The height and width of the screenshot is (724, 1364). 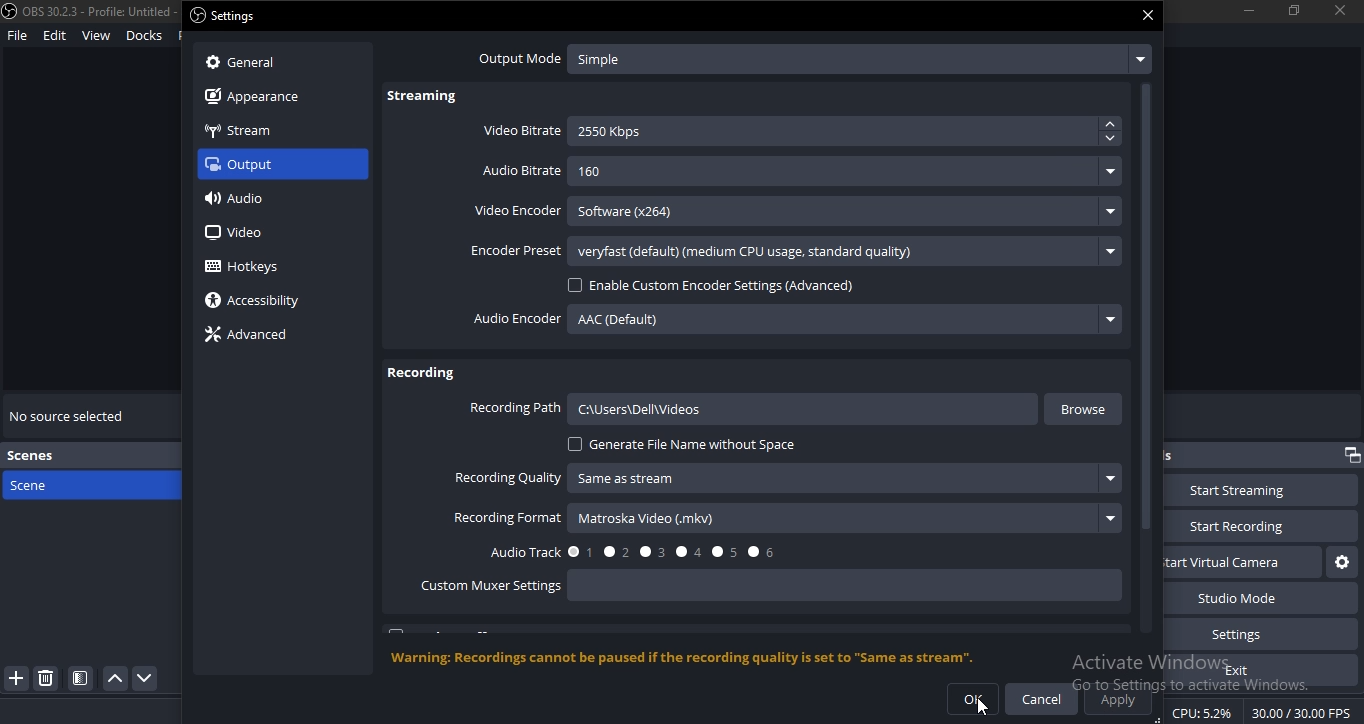 I want to click on output, so click(x=271, y=164).